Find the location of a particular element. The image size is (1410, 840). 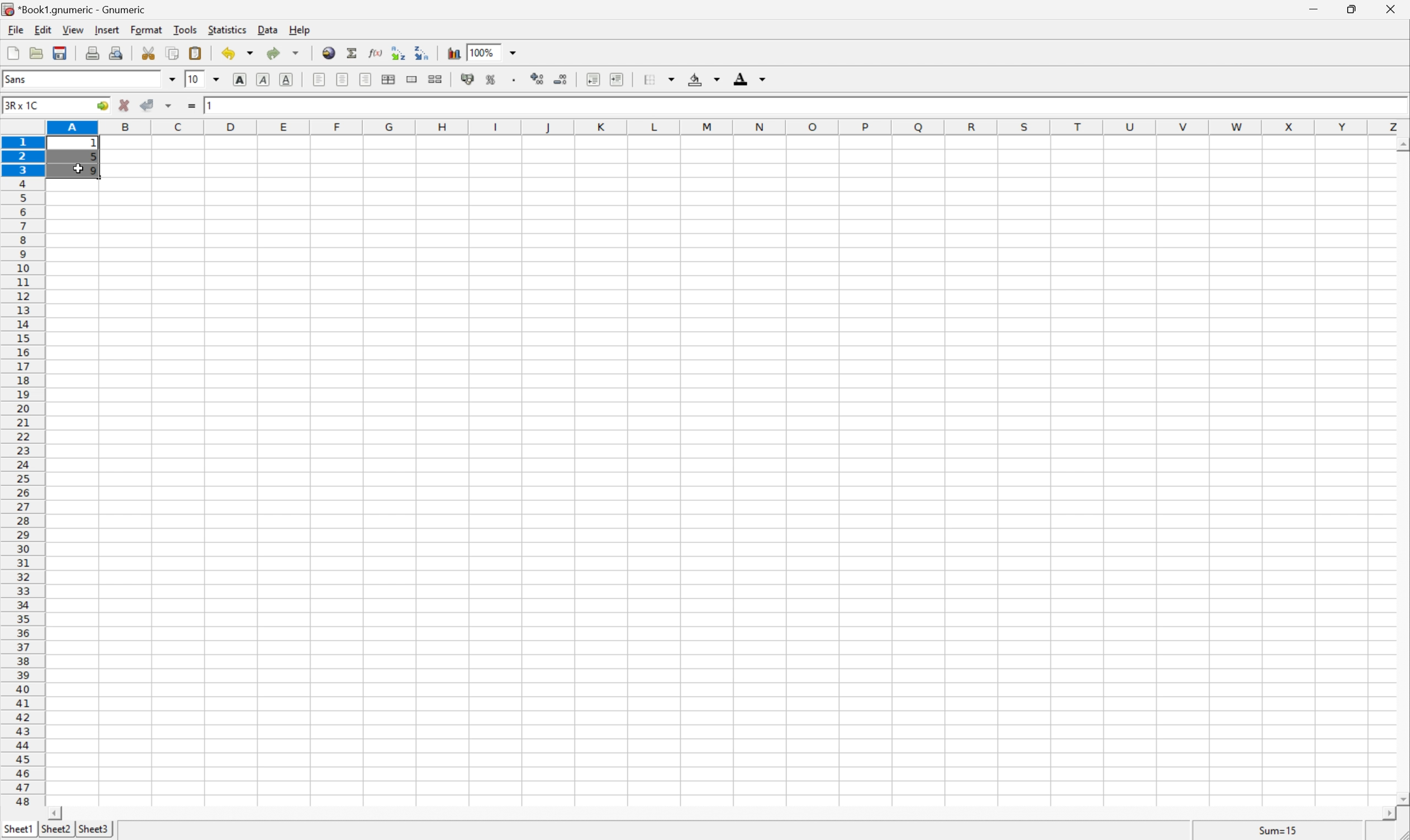

insert chart is located at coordinates (453, 52).